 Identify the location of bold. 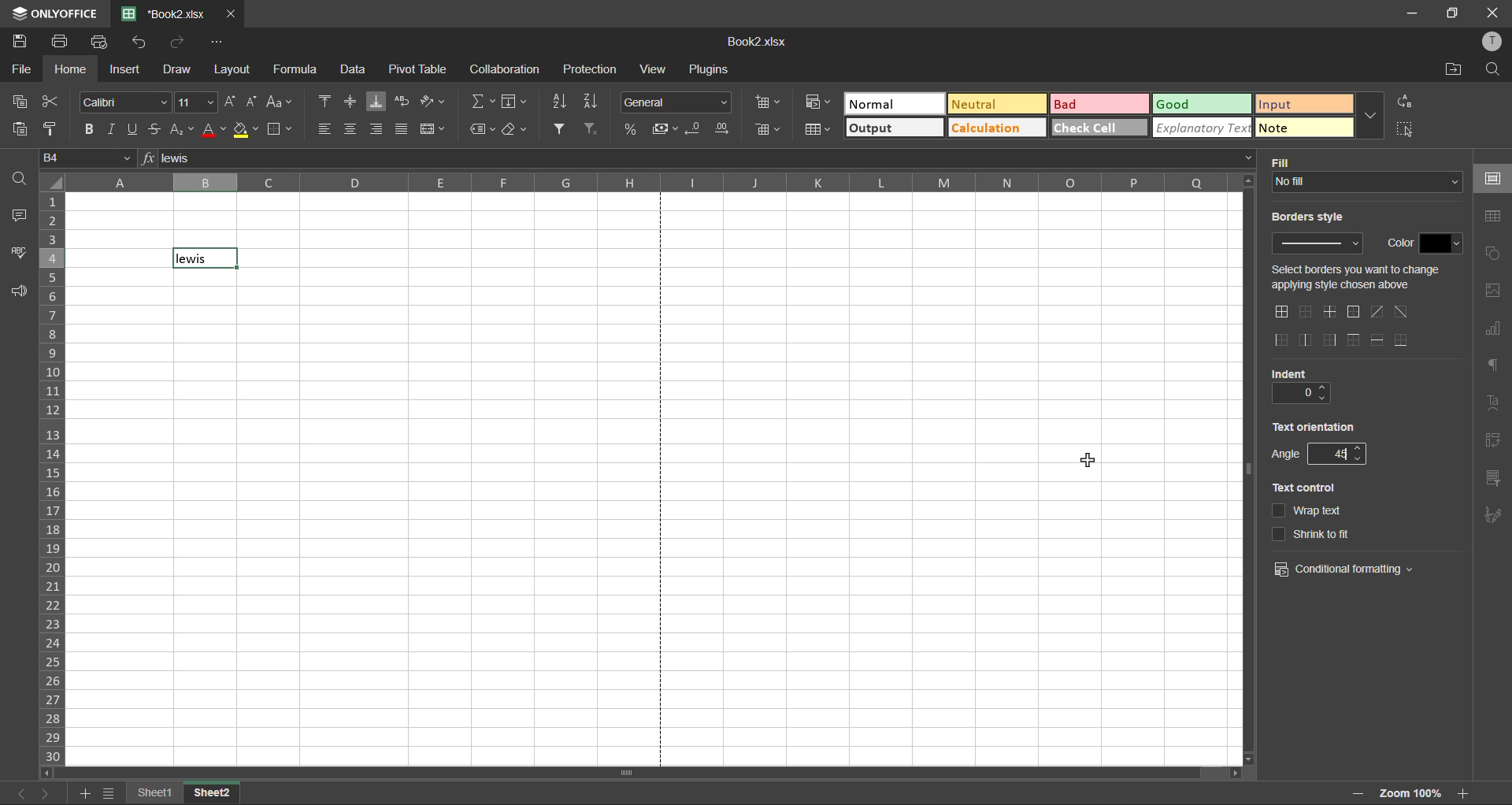
(85, 131).